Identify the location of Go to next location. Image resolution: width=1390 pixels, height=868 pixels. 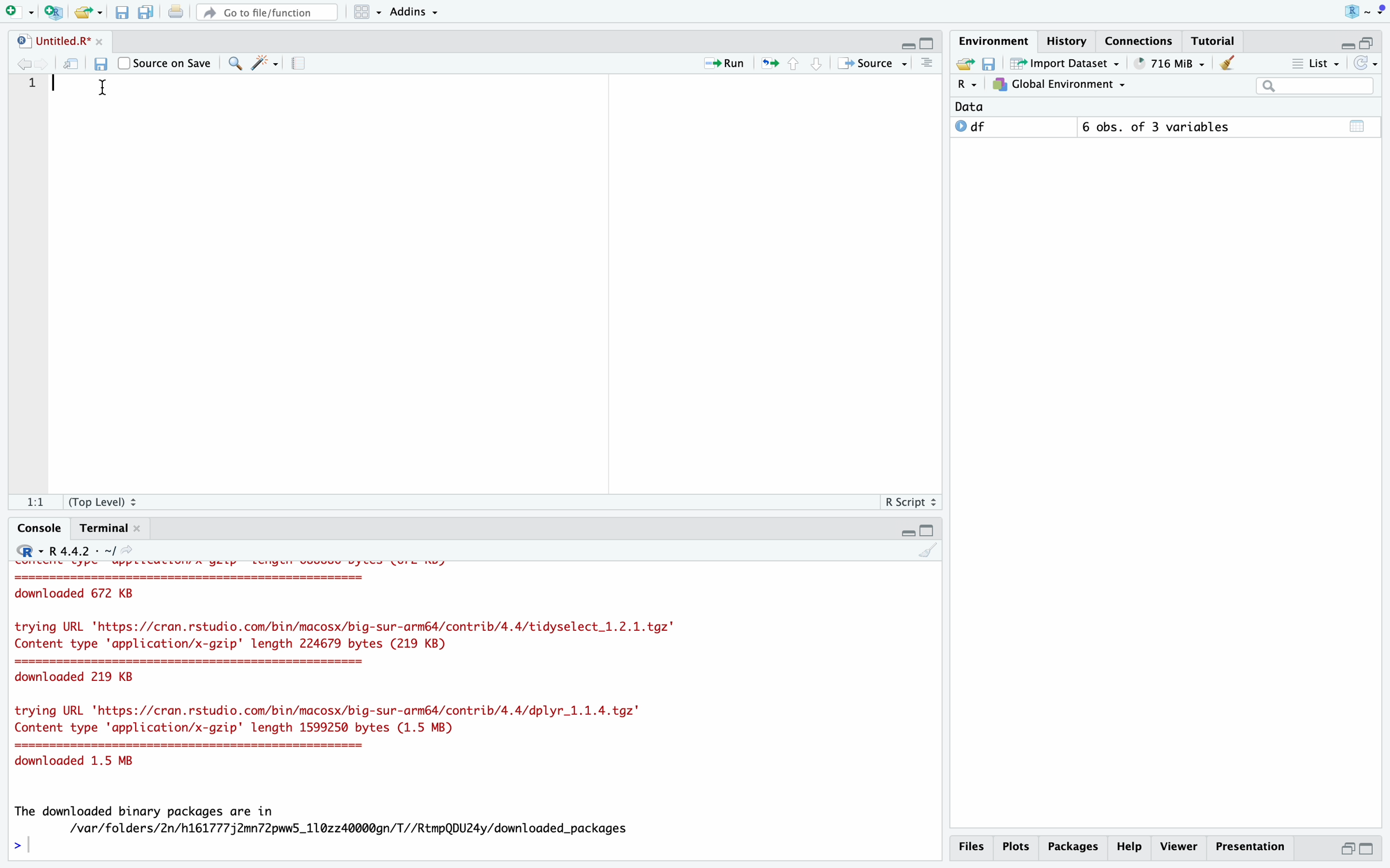
(43, 65).